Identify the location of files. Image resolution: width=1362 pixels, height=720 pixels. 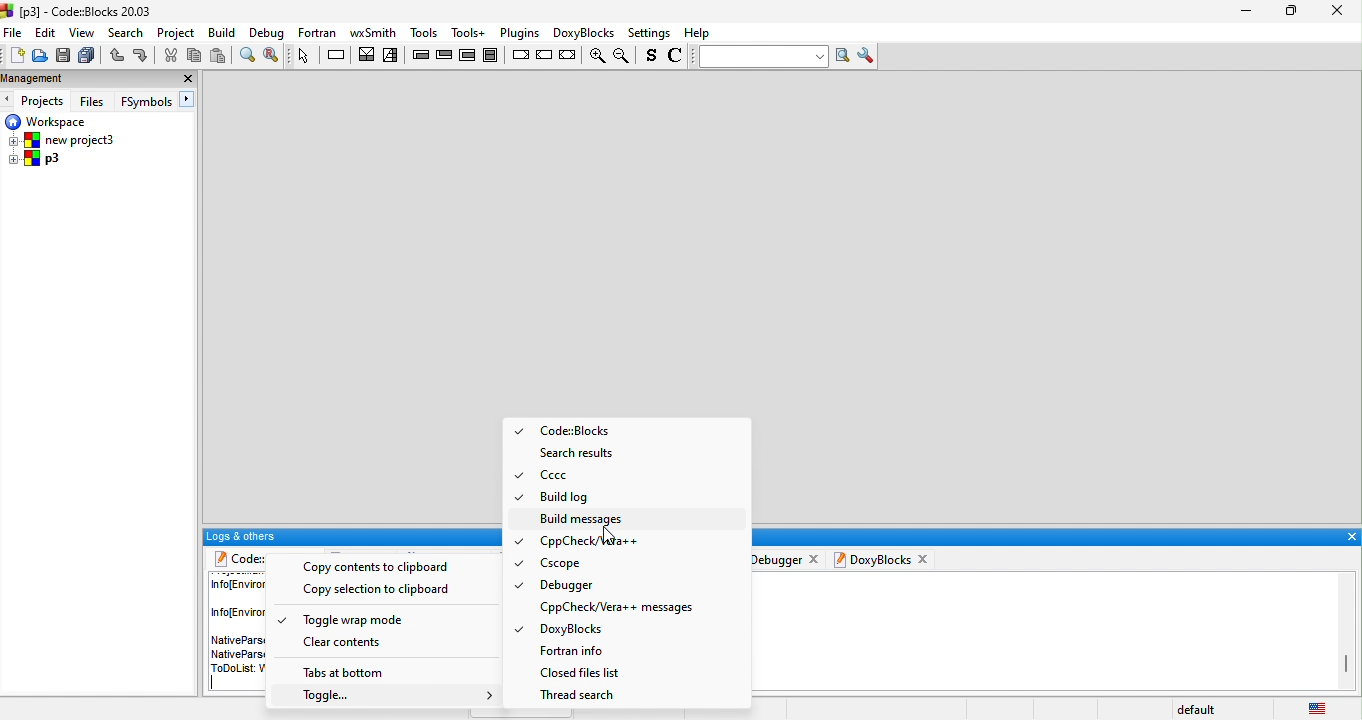
(94, 100).